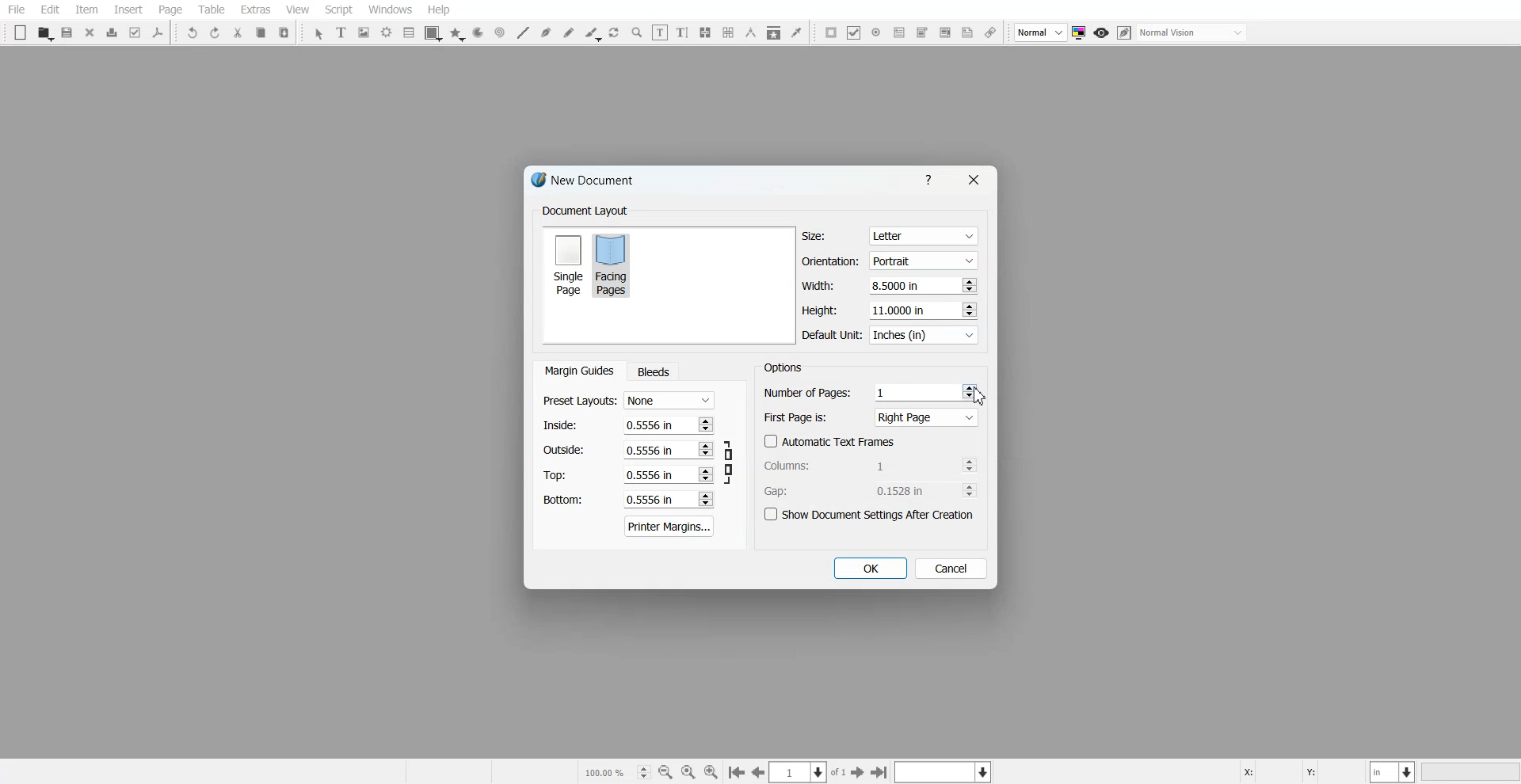  Describe the element at coordinates (783, 367) in the screenshot. I see `Text` at that location.